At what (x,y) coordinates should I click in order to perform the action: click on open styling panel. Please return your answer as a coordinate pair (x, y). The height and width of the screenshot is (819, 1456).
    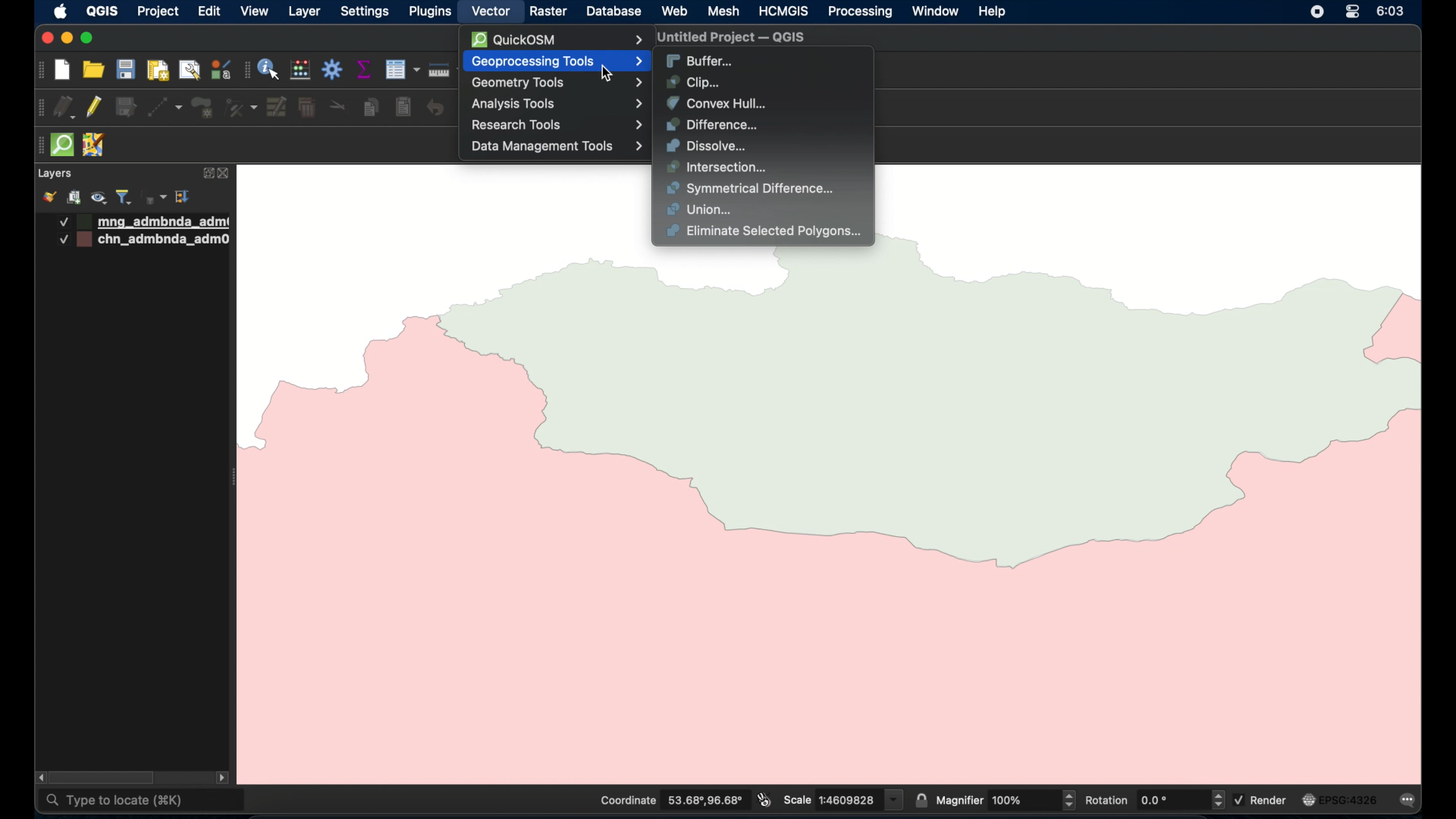
    Looking at the image, I should click on (48, 197).